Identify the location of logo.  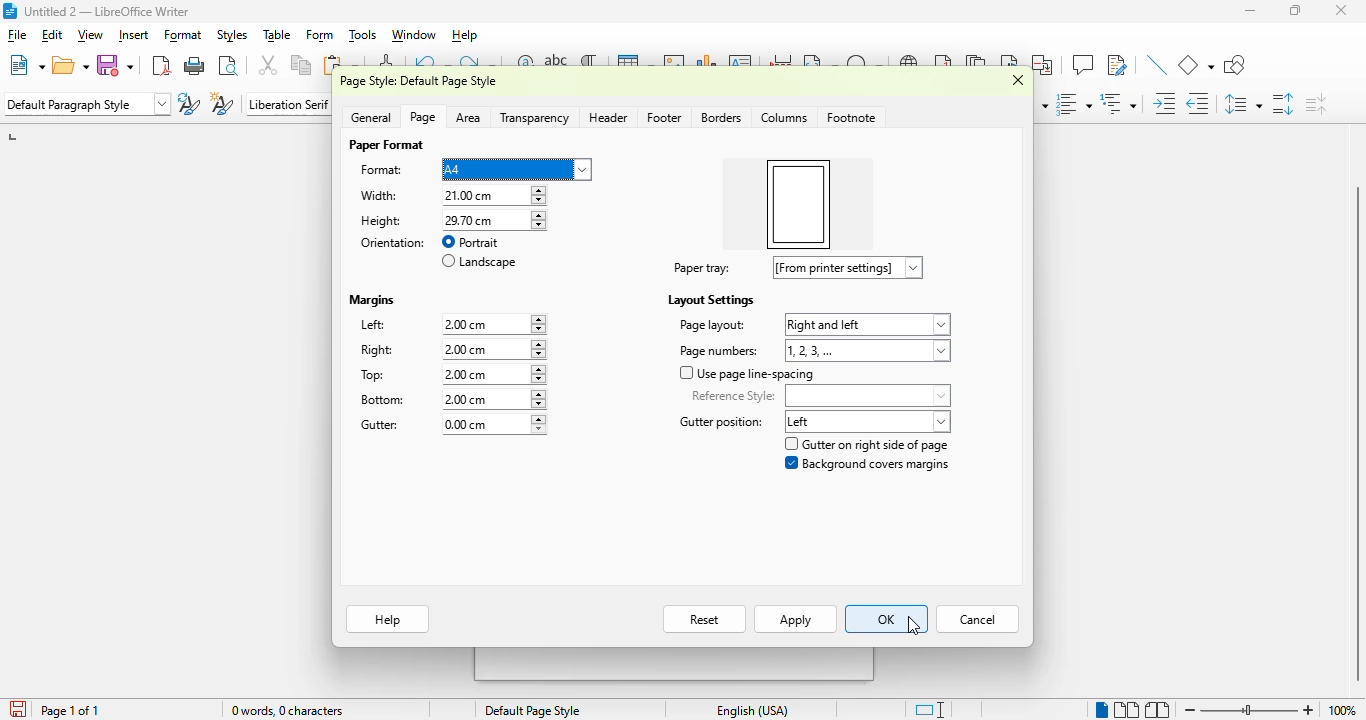
(10, 11).